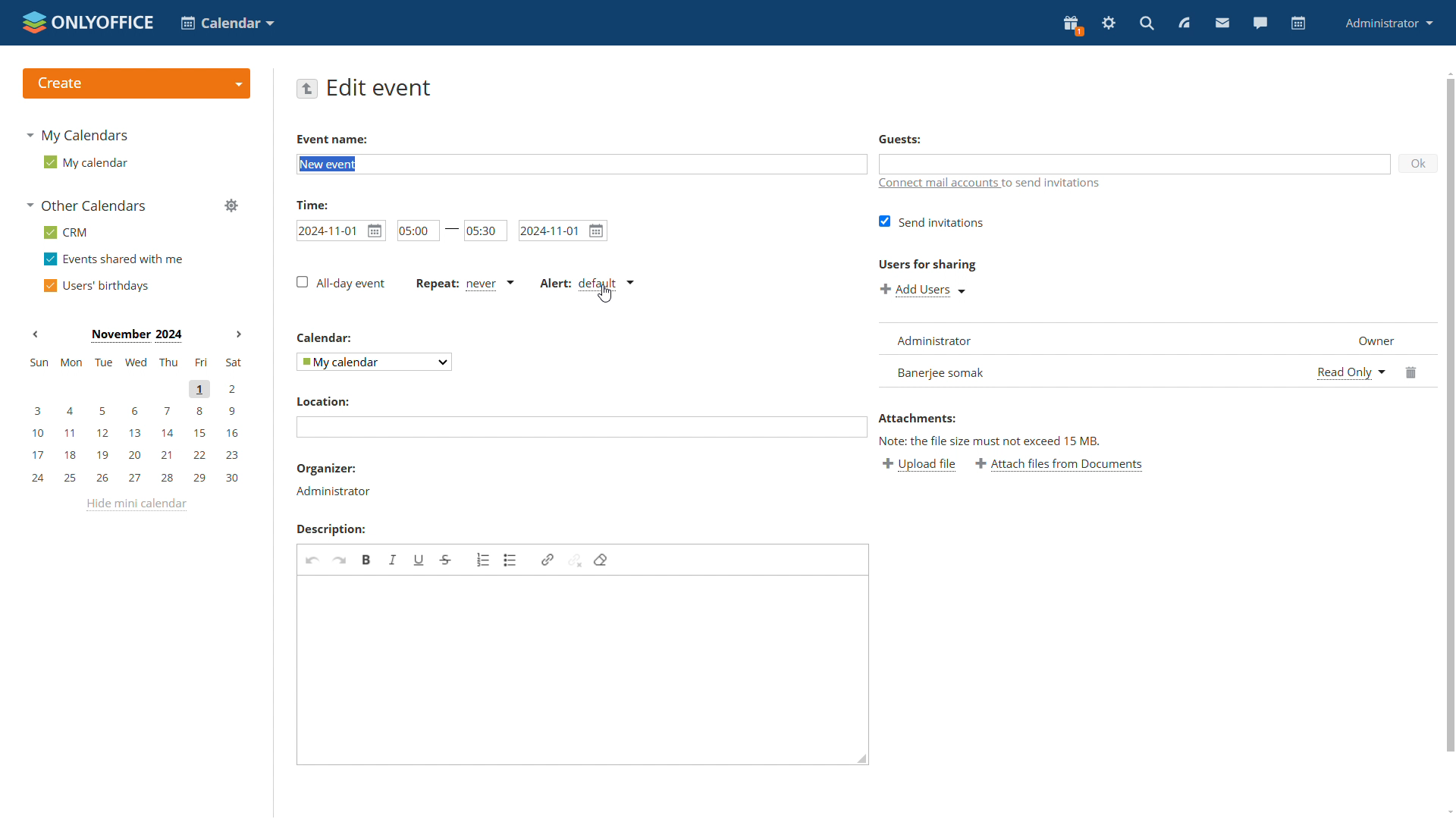  I want to click on hide mini calendar, so click(136, 505).